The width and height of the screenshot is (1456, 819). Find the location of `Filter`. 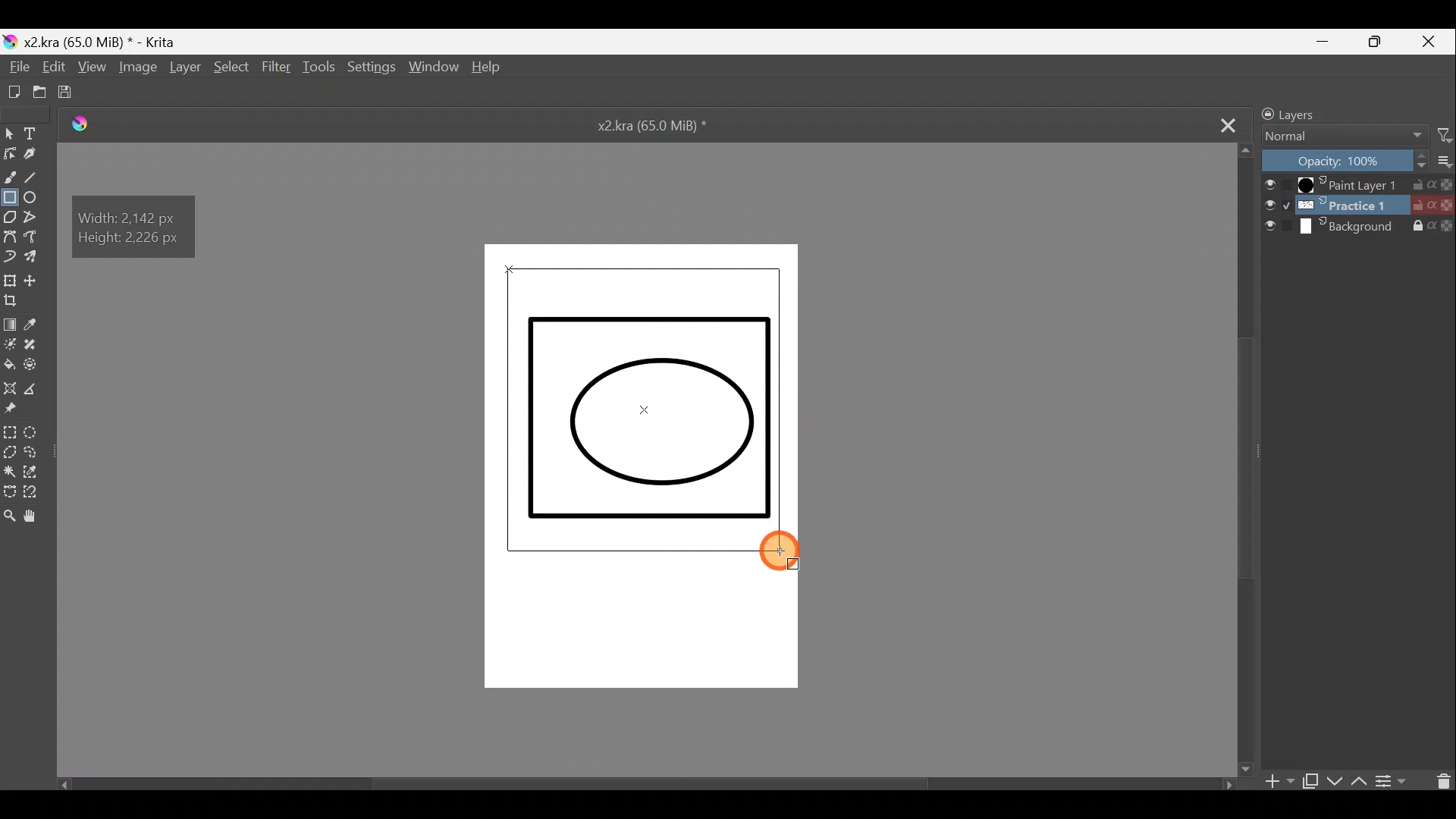

Filter is located at coordinates (1445, 133).